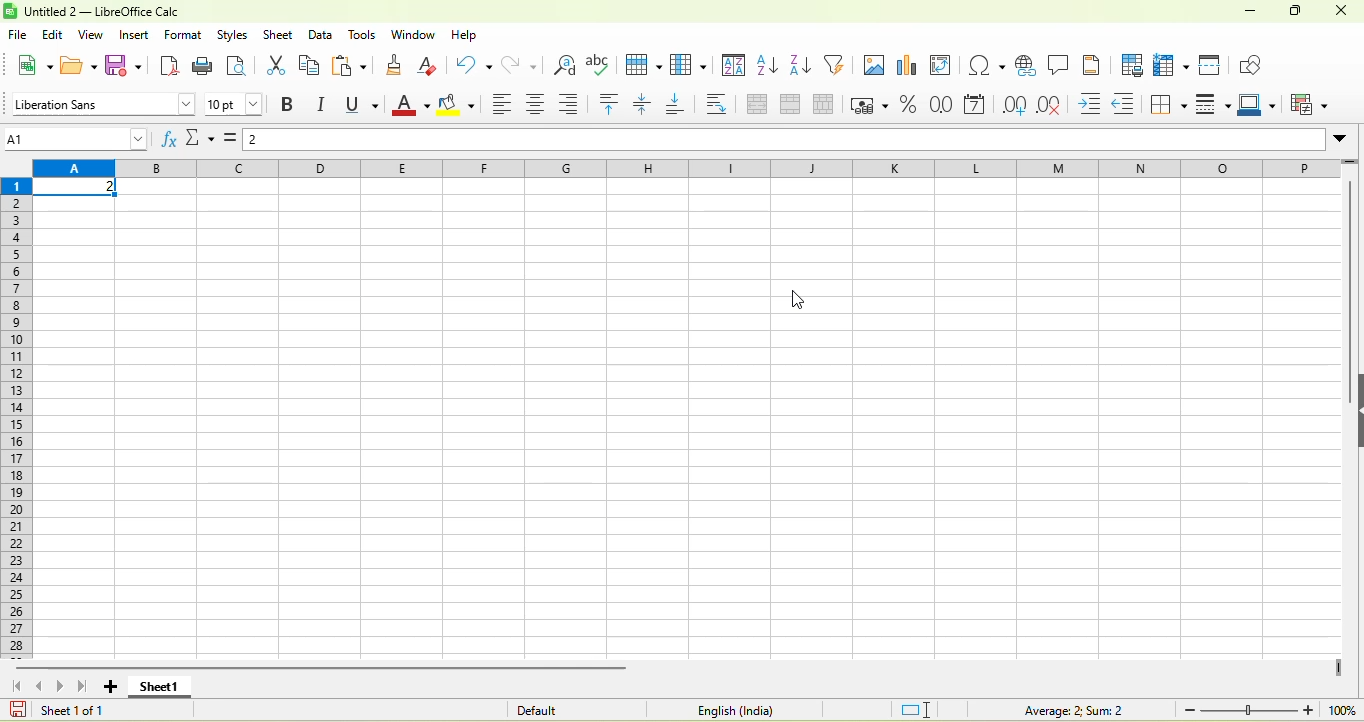 The image size is (1364, 722). I want to click on close, so click(1344, 10).